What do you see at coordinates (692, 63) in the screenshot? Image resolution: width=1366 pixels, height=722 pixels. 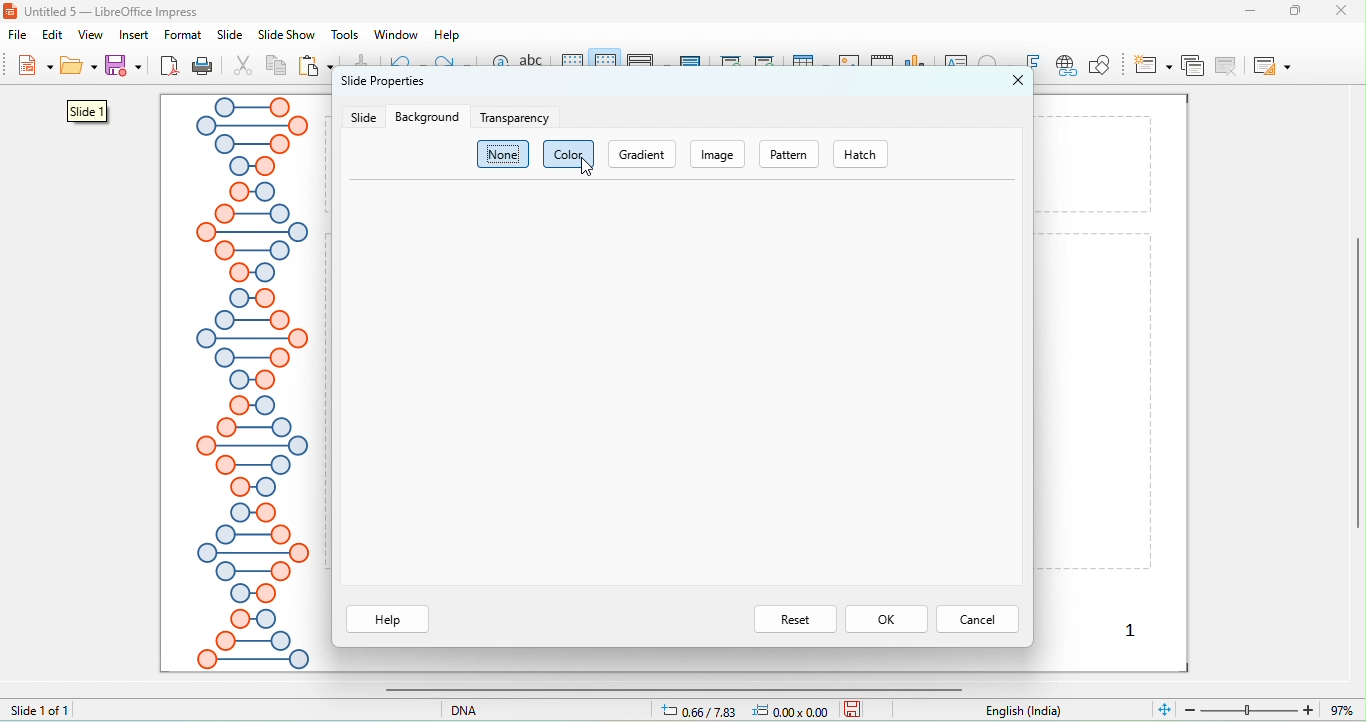 I see `master slide` at bounding box center [692, 63].